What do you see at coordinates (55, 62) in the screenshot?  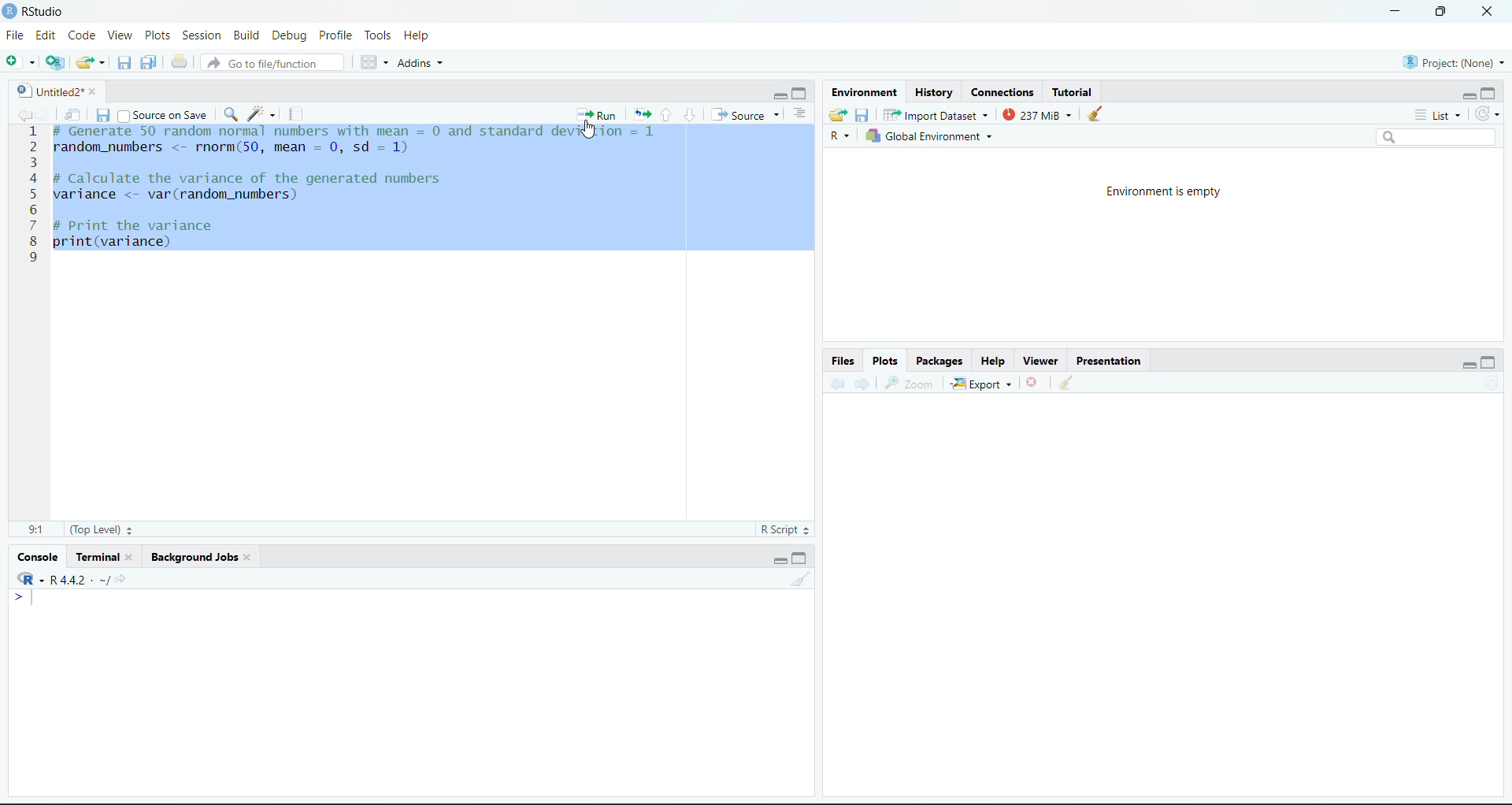 I see `new project ` at bounding box center [55, 62].